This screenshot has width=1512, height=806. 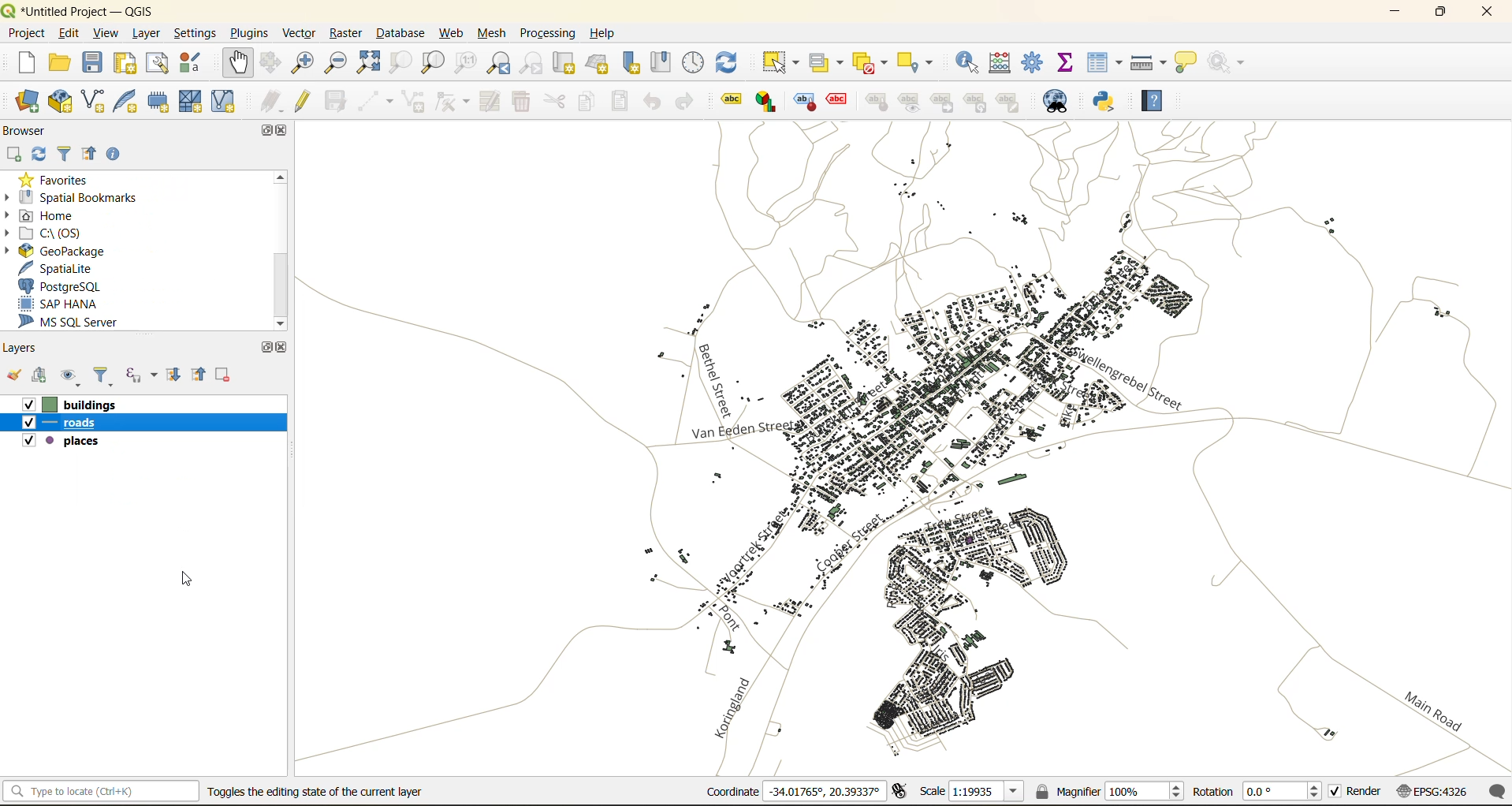 What do you see at coordinates (192, 64) in the screenshot?
I see `style manager` at bounding box center [192, 64].